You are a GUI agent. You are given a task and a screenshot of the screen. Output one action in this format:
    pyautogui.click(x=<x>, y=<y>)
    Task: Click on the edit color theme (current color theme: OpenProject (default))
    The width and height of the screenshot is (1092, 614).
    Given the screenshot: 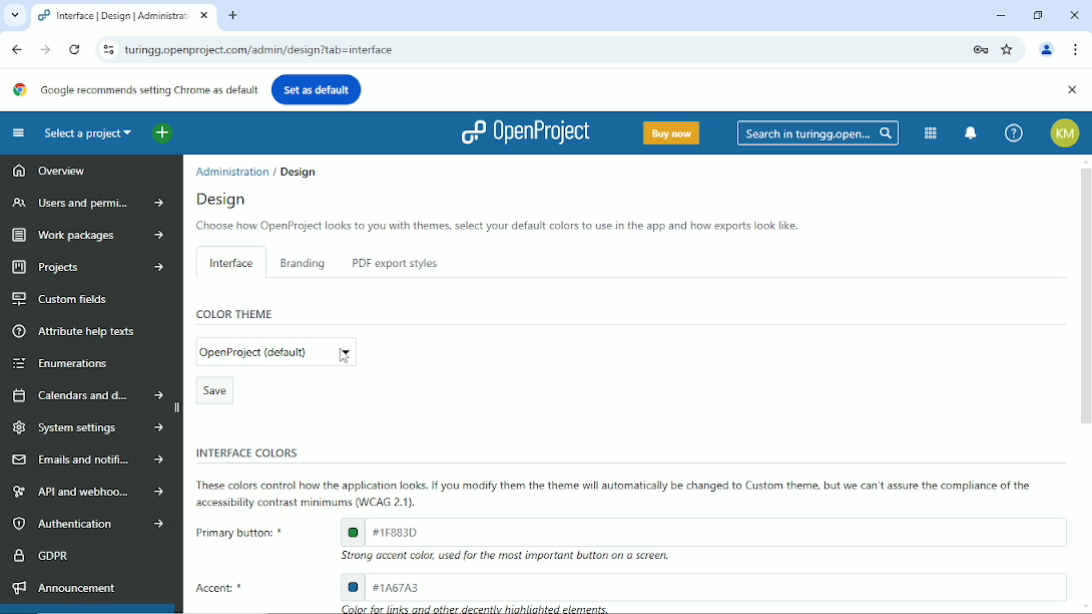 What is the action you would take?
    pyautogui.click(x=275, y=350)
    